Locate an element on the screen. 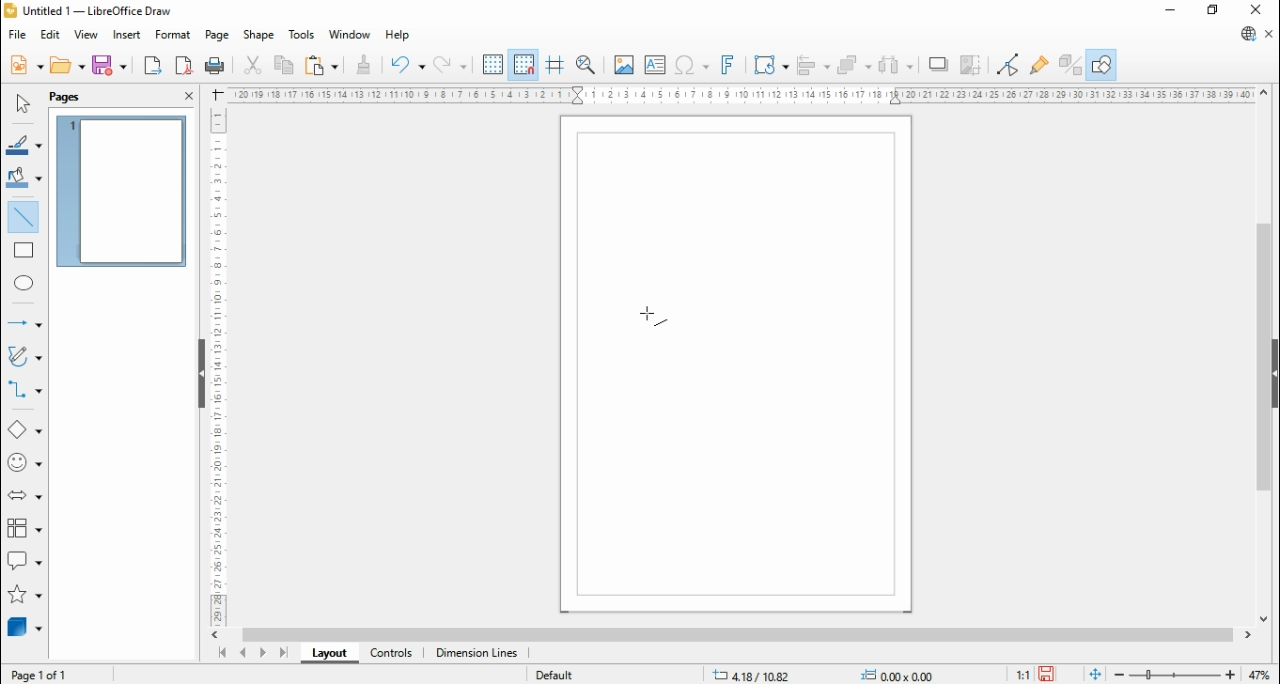 This screenshot has width=1280, height=684. symbol shapes is located at coordinates (24, 463).